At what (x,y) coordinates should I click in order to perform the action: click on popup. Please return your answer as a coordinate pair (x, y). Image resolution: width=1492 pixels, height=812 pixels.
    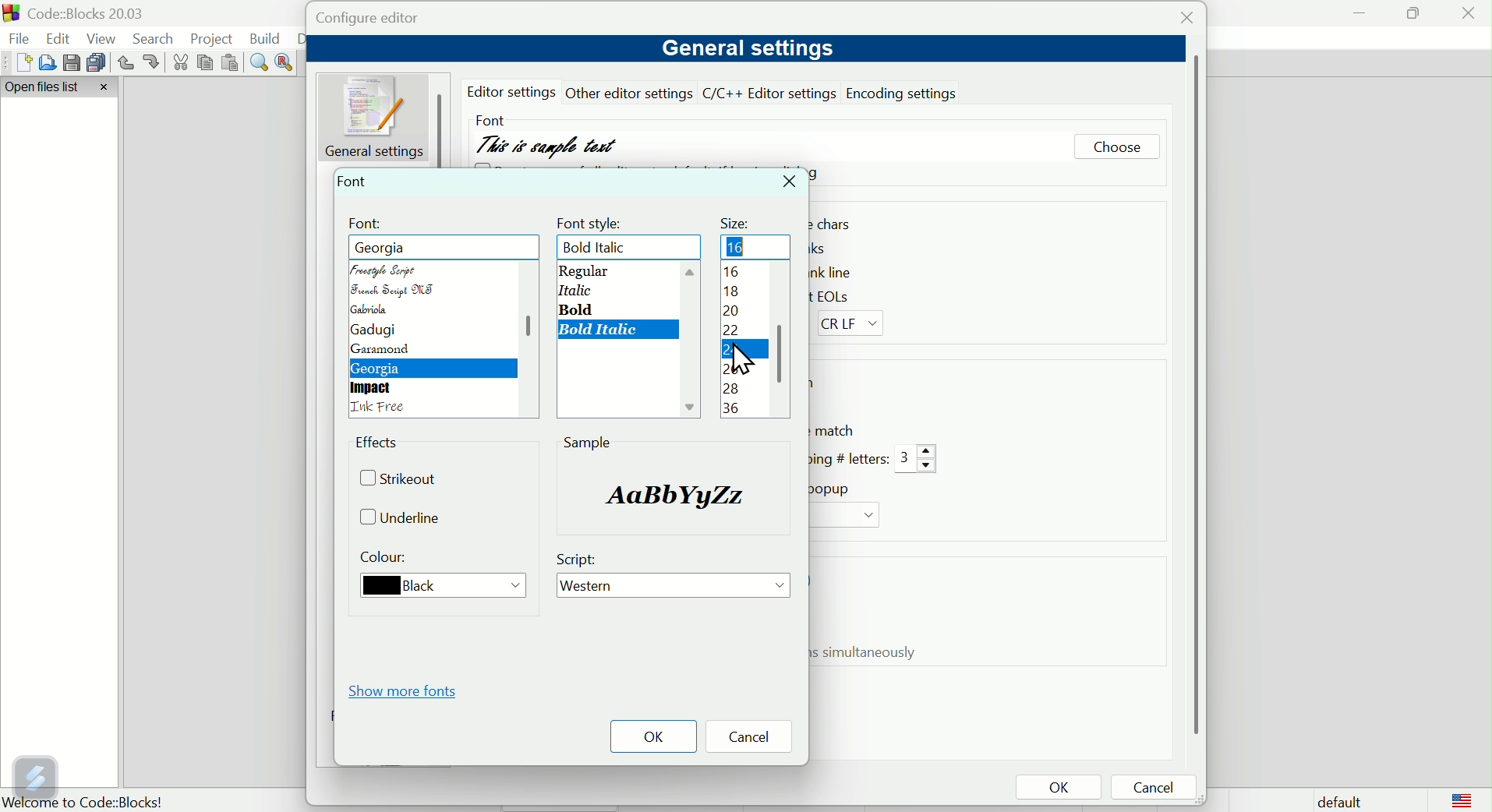
    Looking at the image, I should click on (834, 489).